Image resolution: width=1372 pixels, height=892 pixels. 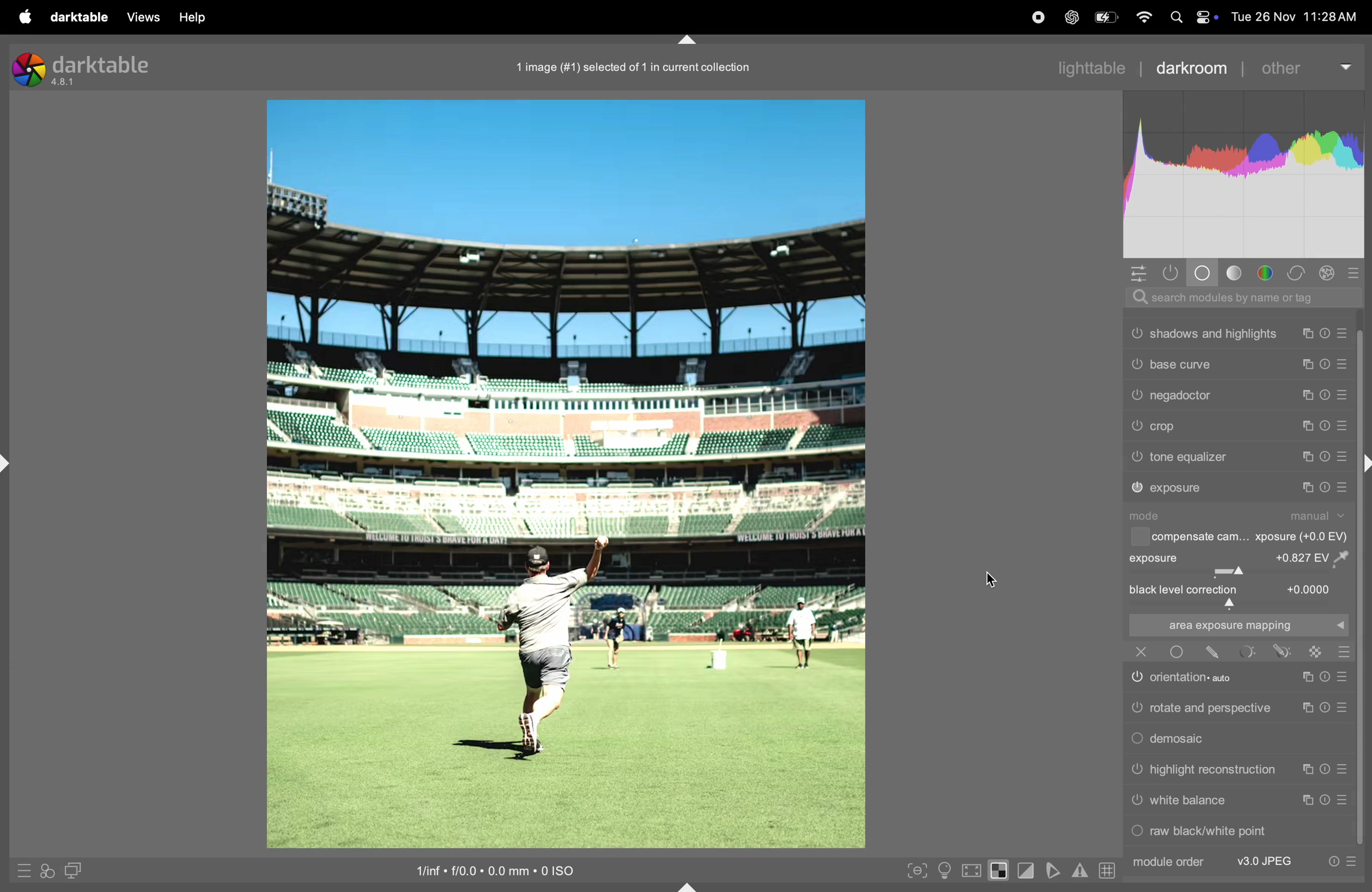 I want to click on Transparency , so click(x=1316, y=652).